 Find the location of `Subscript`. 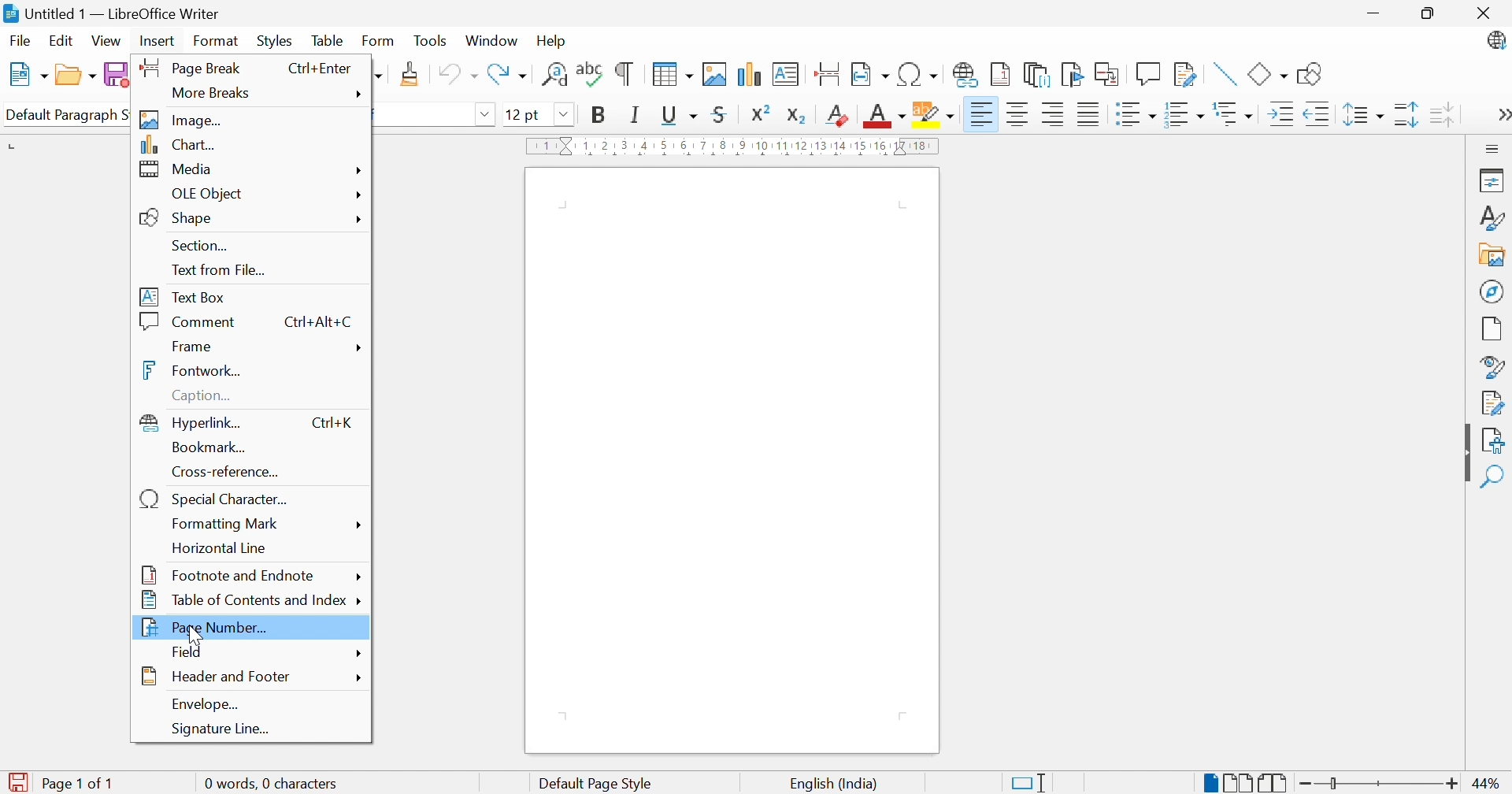

Subscript is located at coordinates (836, 117).